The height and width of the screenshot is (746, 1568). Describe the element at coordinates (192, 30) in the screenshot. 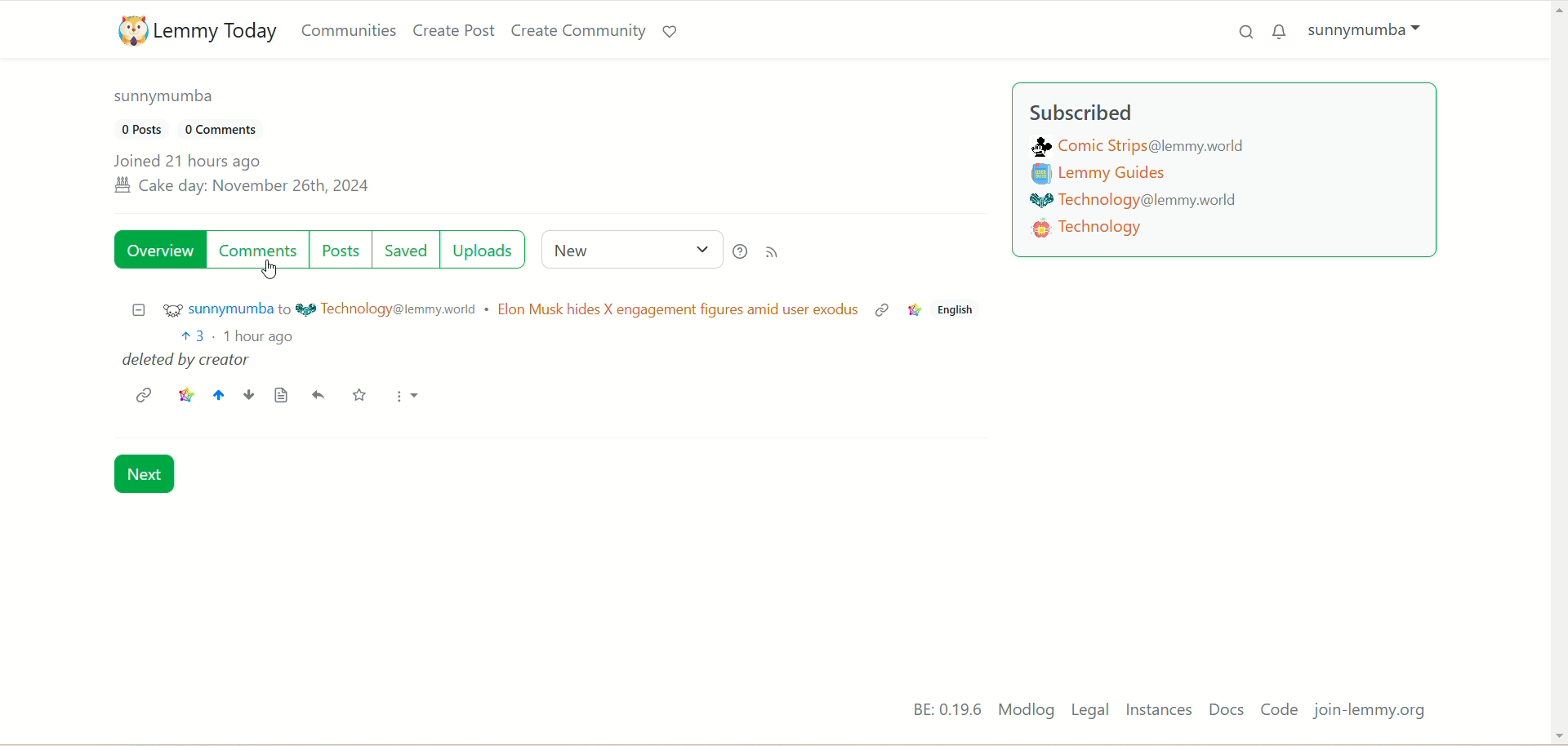

I see `lemmy today logo and name` at that location.